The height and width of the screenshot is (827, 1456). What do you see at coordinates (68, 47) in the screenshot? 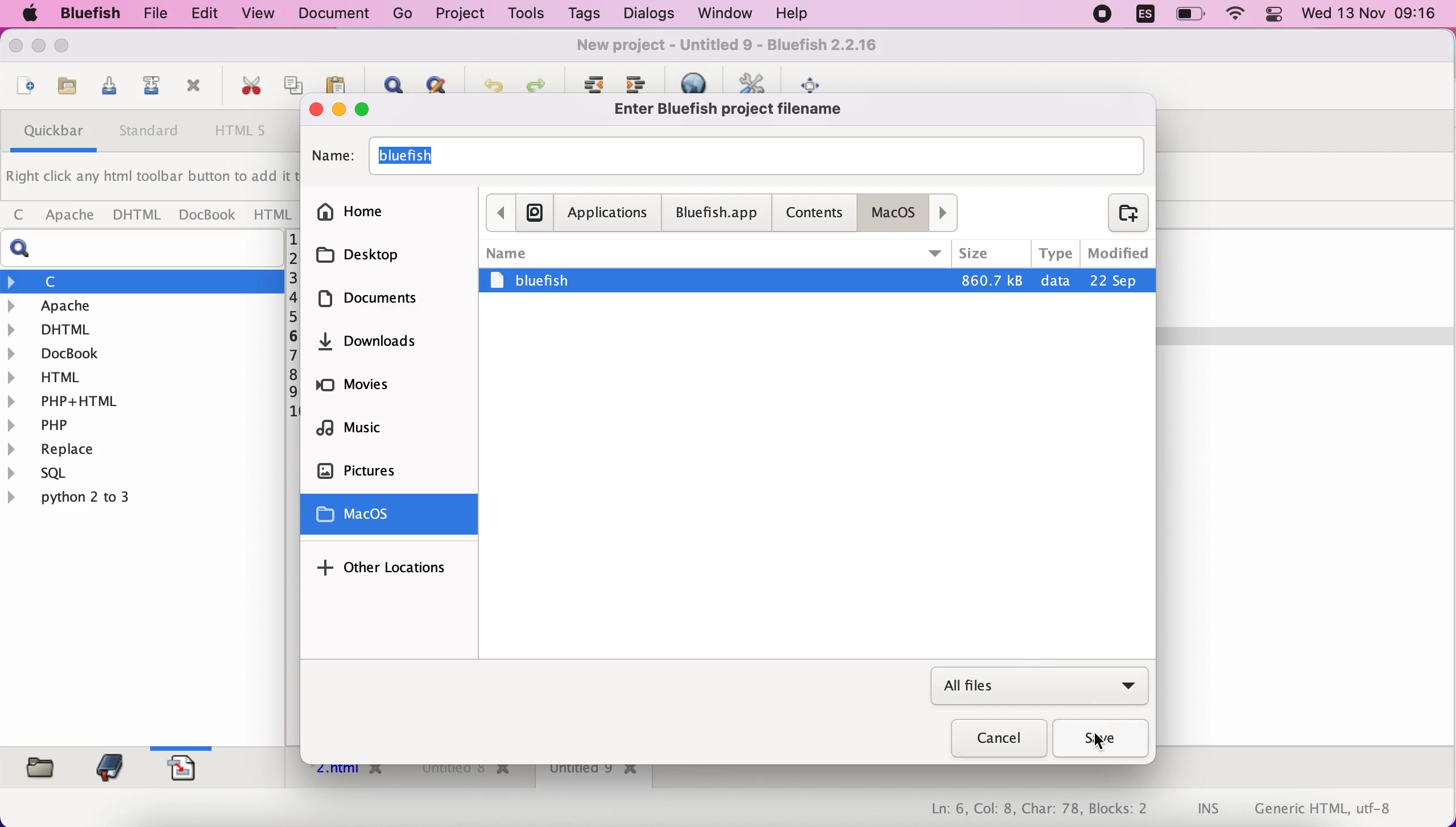
I see `Maximize` at bounding box center [68, 47].